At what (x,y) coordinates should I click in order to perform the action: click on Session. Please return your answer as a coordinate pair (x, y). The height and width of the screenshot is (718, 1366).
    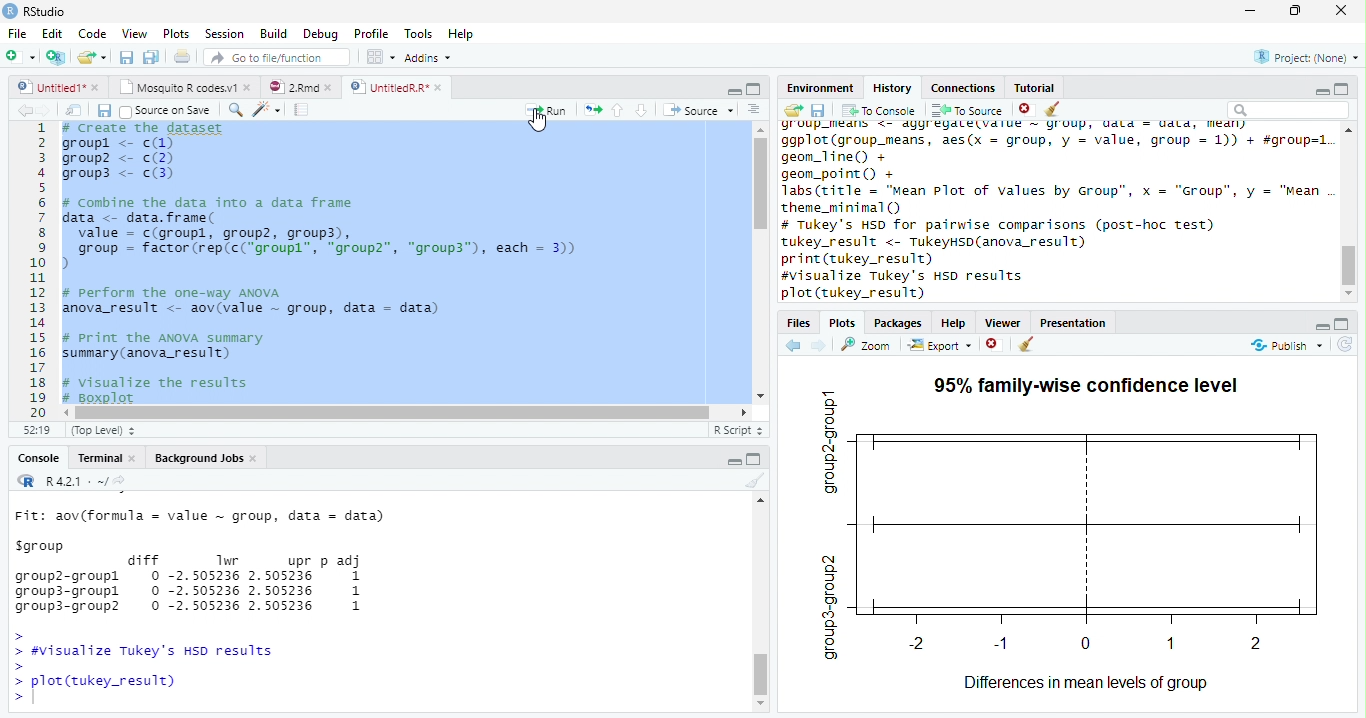
    Looking at the image, I should click on (225, 34).